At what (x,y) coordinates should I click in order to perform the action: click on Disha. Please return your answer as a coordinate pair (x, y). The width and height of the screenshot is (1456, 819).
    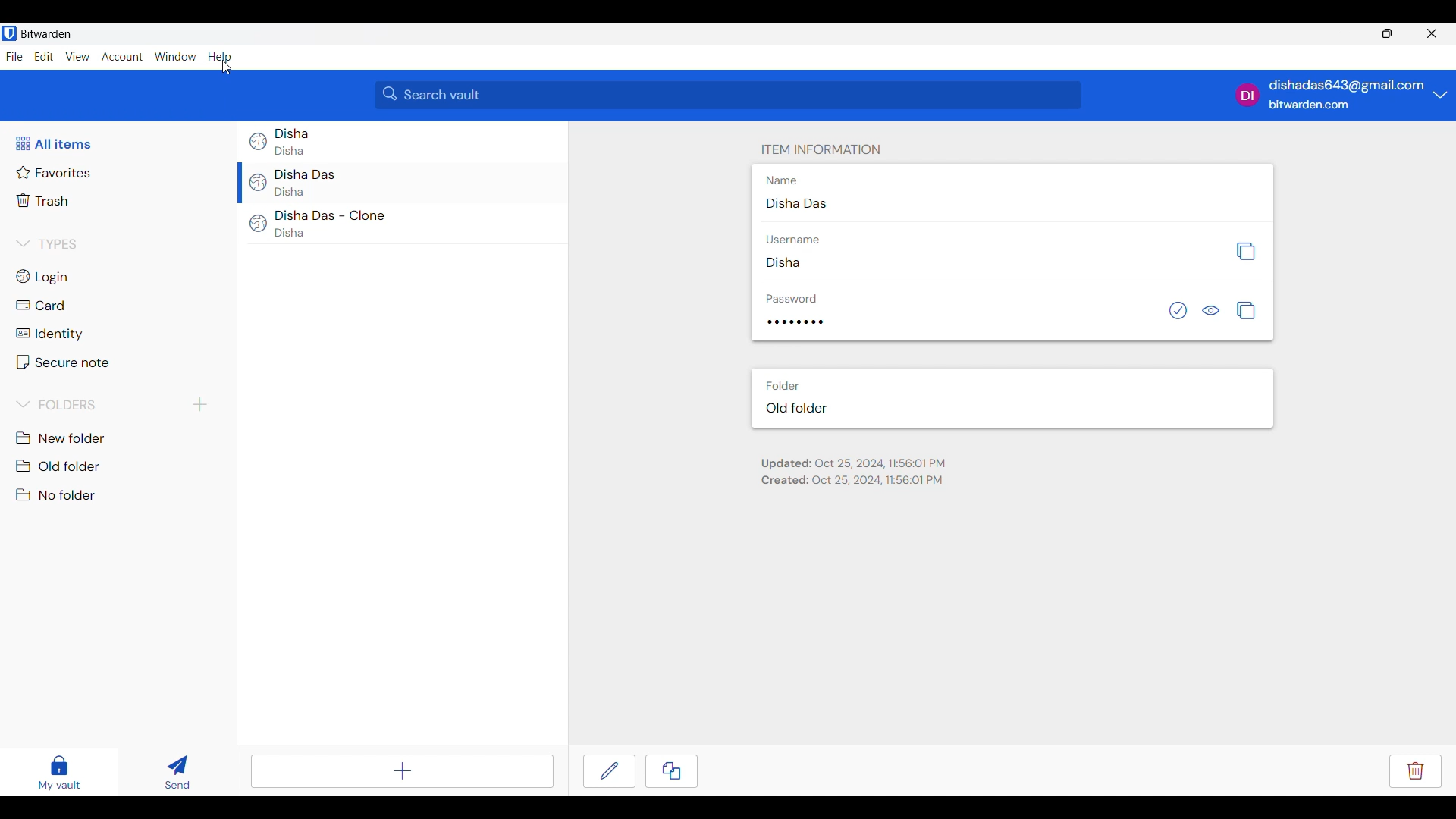
    Looking at the image, I should click on (290, 151).